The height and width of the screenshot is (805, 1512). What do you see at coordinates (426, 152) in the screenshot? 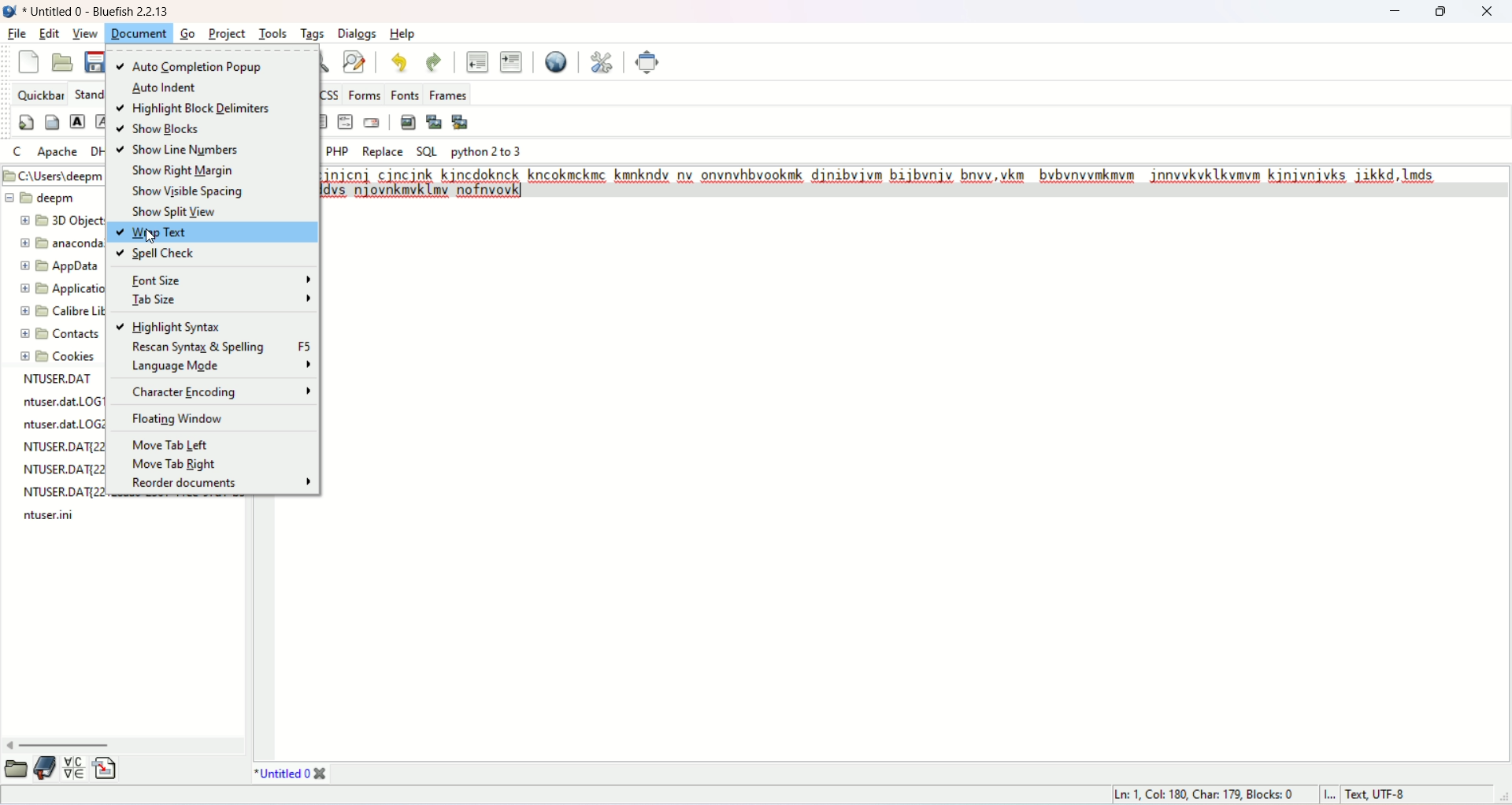
I see `SQL` at bounding box center [426, 152].